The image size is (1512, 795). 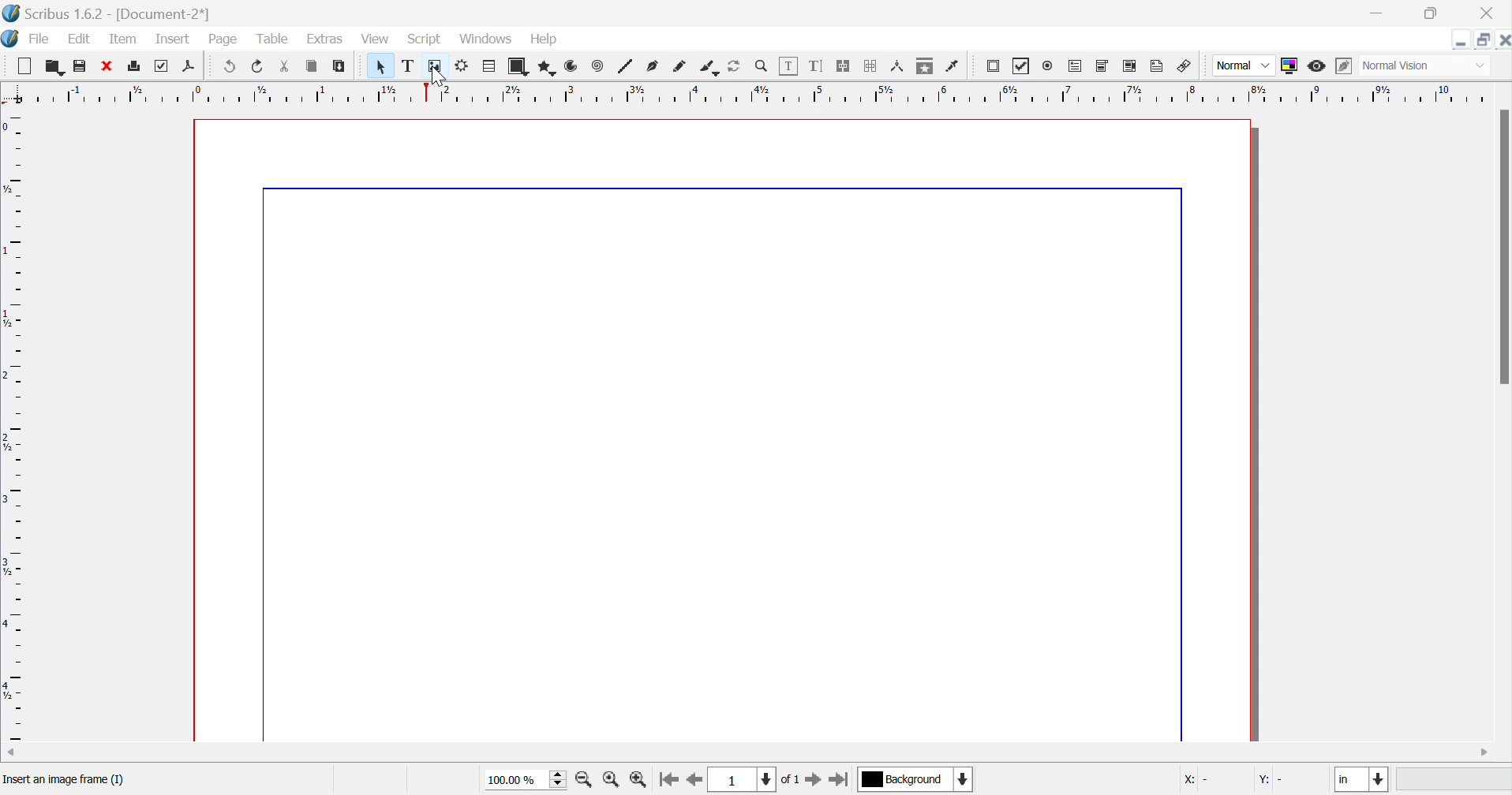 I want to click on script, so click(x=425, y=39).